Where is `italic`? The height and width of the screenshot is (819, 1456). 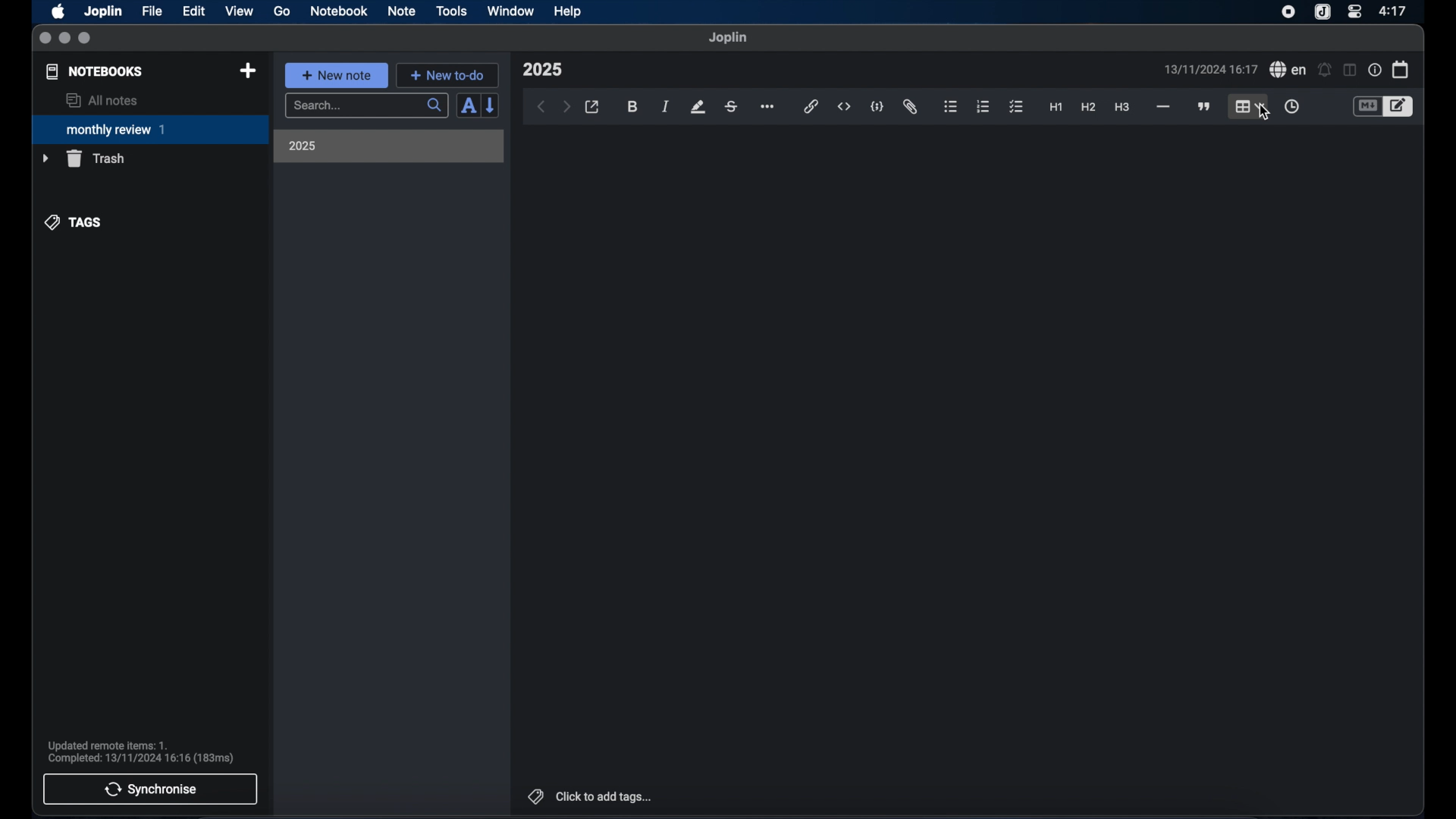
italic is located at coordinates (666, 106).